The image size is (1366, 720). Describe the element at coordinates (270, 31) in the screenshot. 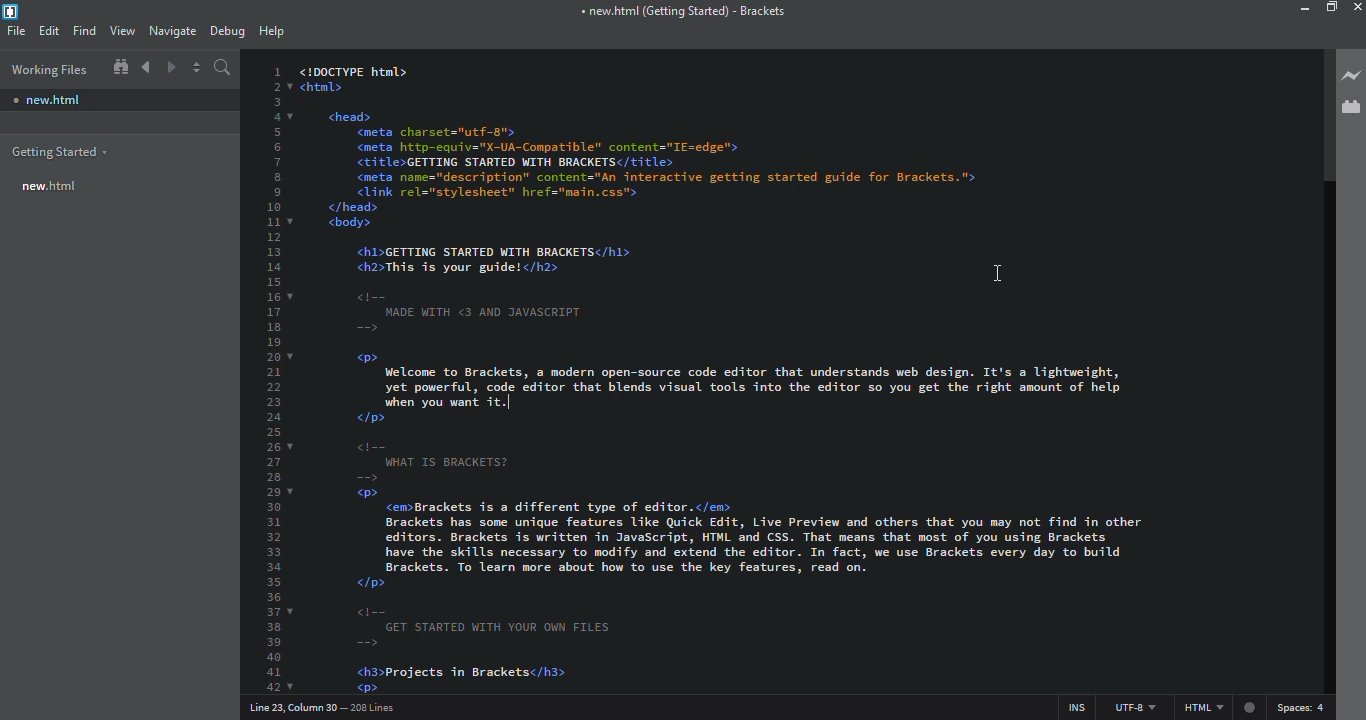

I see `help` at that location.